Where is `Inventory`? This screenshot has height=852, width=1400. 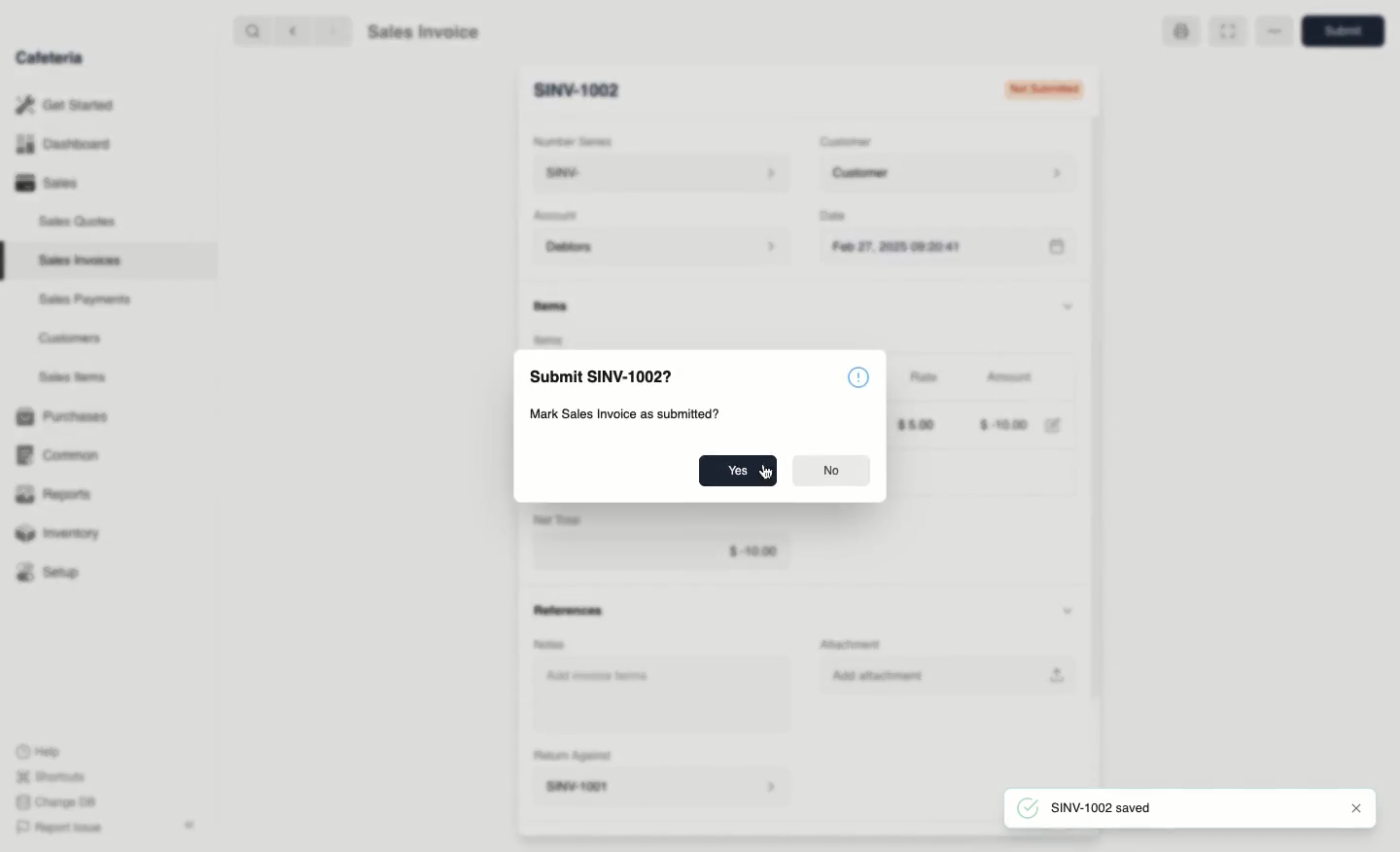 Inventory is located at coordinates (59, 536).